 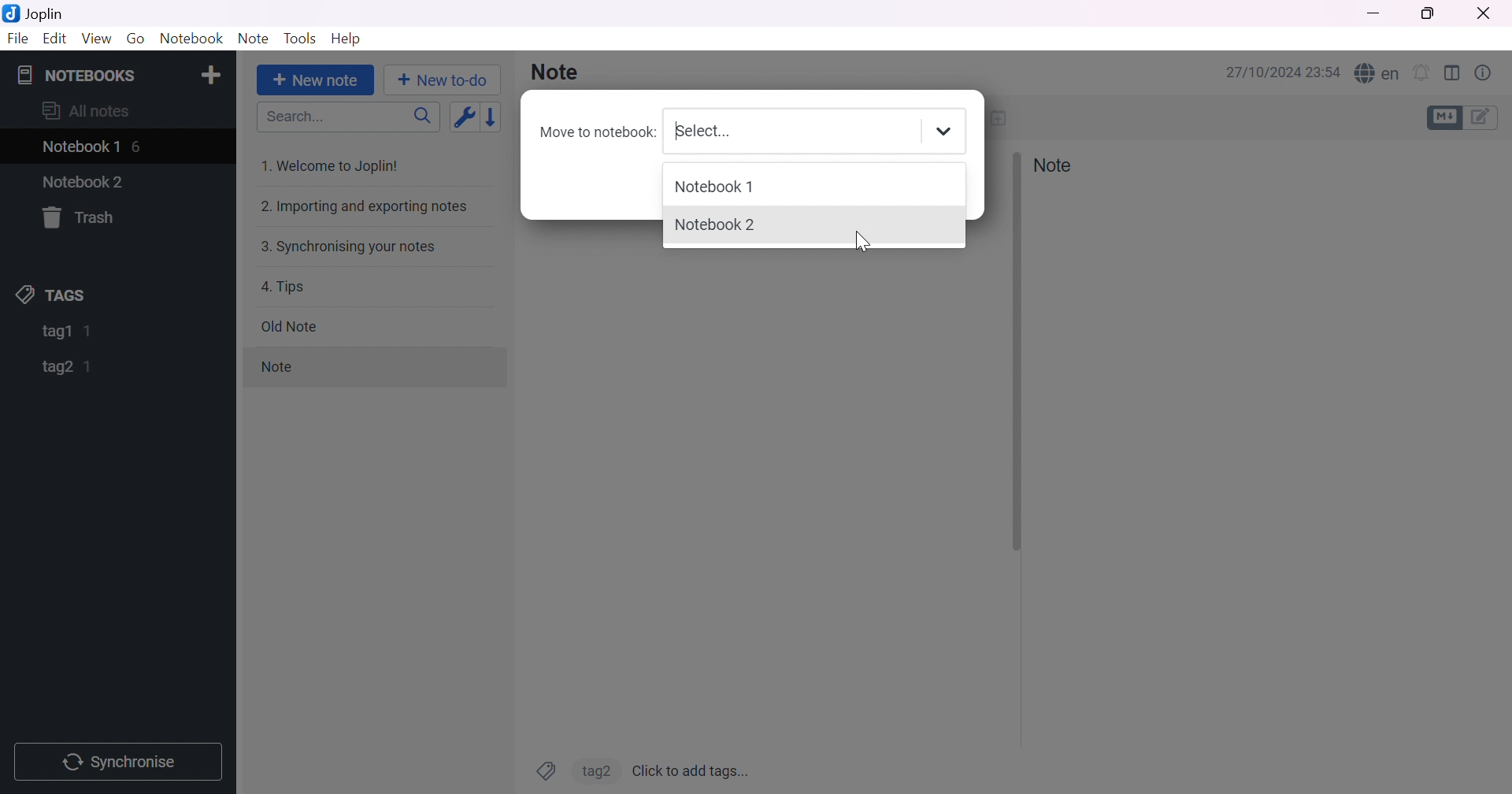 What do you see at coordinates (54, 295) in the screenshot?
I see `TAGS` at bounding box center [54, 295].